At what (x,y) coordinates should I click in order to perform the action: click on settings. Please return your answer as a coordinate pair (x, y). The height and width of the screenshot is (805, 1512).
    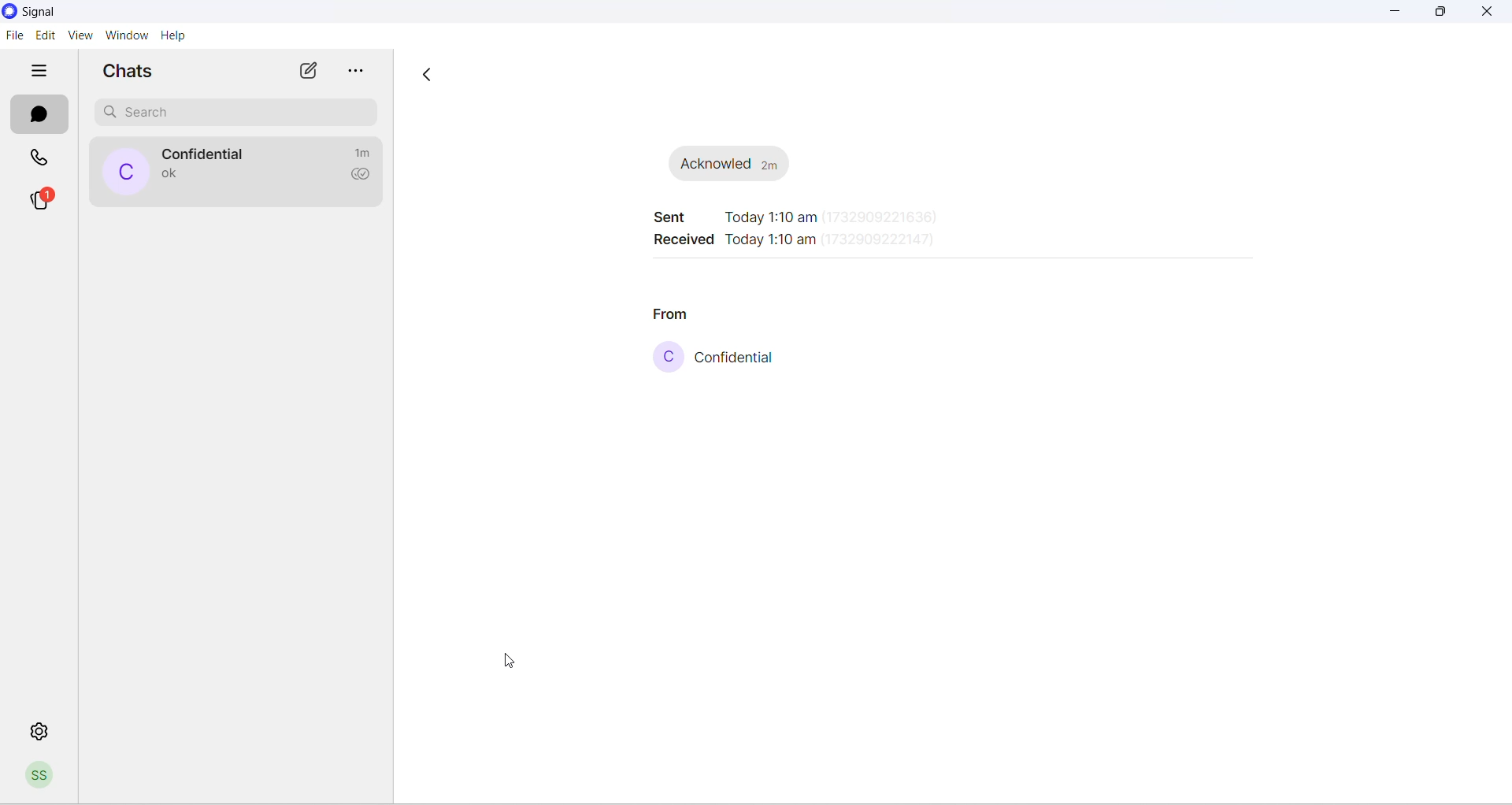
    Looking at the image, I should click on (41, 730).